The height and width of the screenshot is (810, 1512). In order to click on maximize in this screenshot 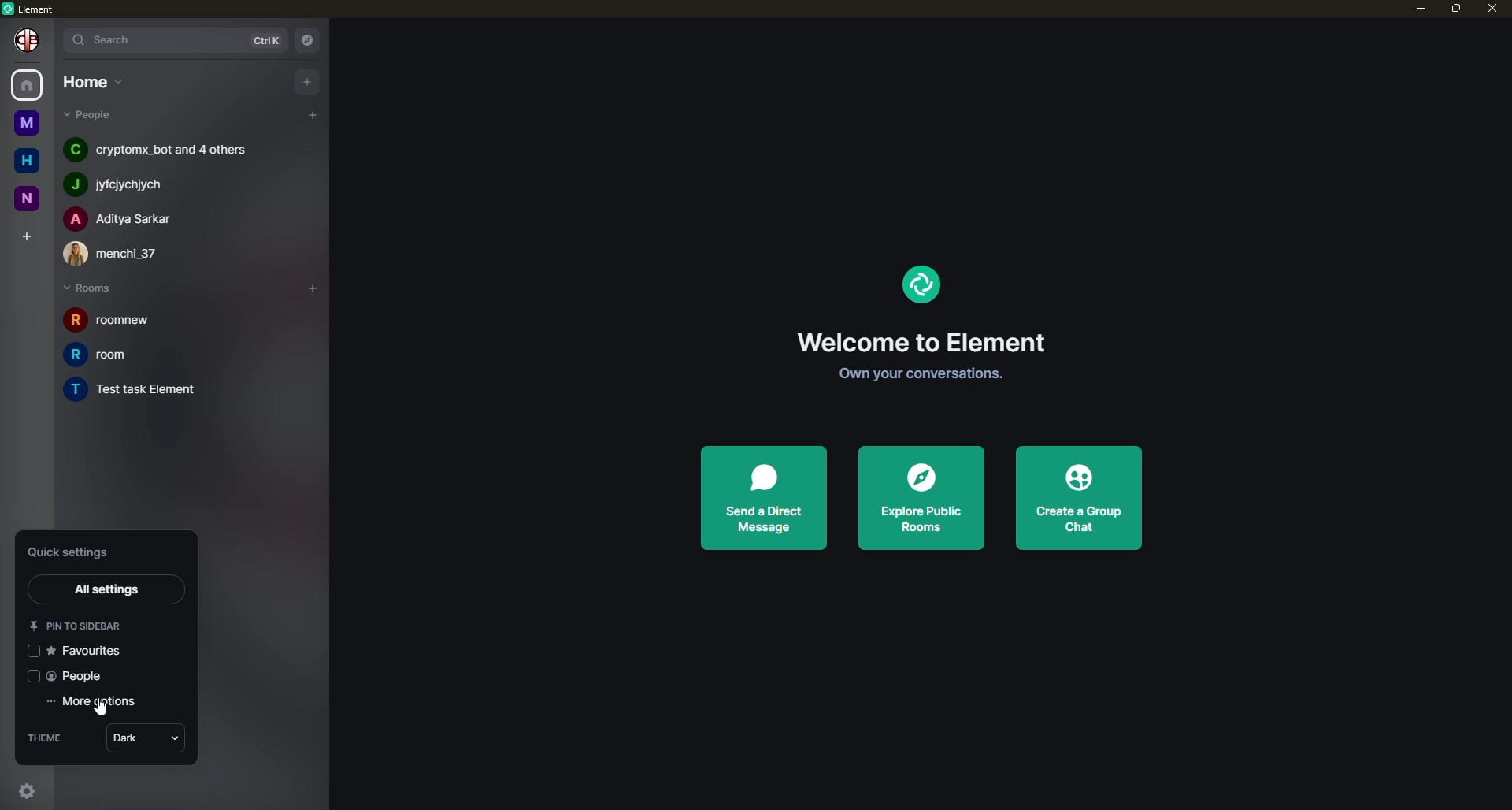, I will do `click(1455, 9)`.